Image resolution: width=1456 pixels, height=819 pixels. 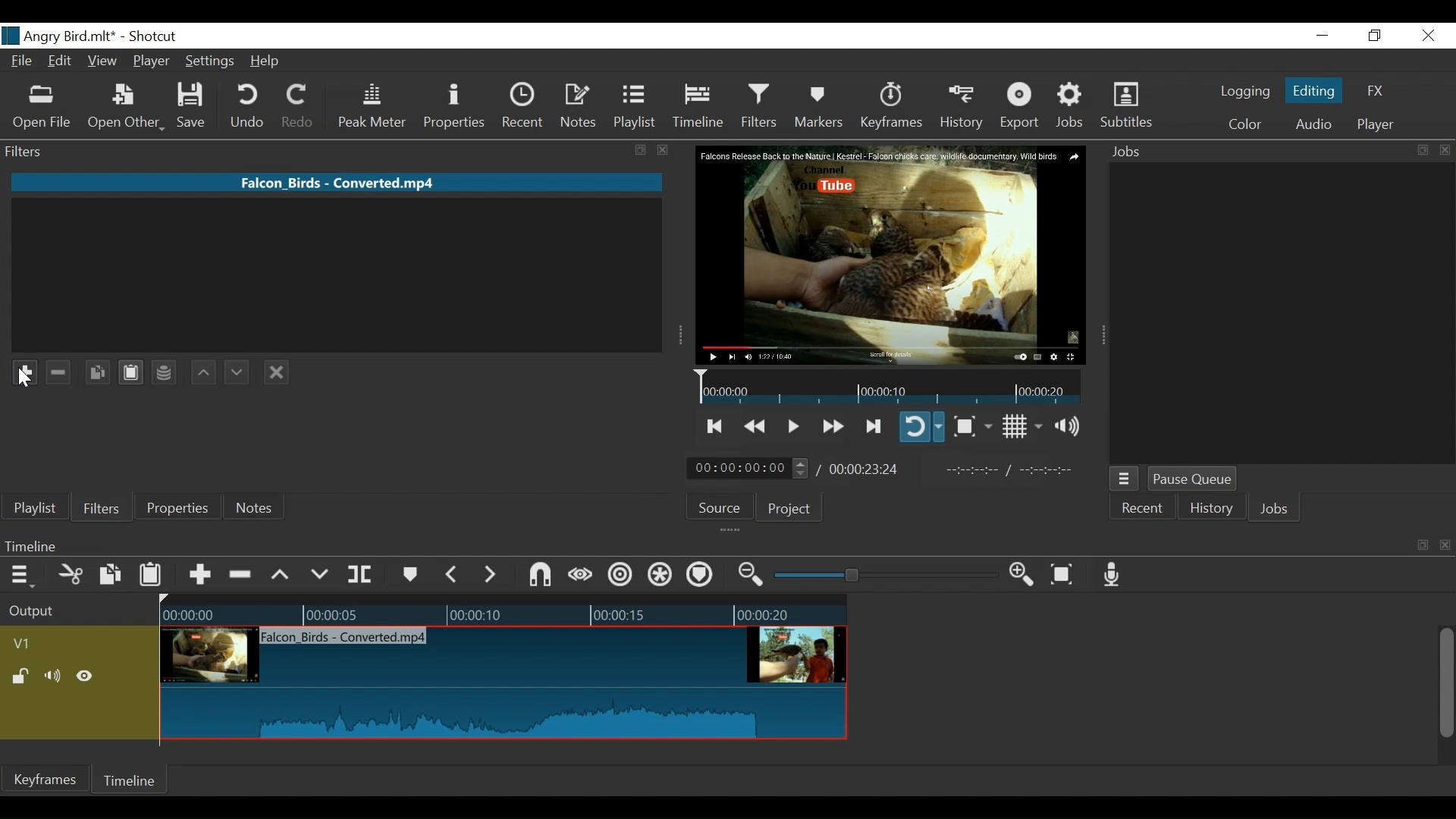 What do you see at coordinates (237, 371) in the screenshot?
I see `Move Filter down` at bounding box center [237, 371].